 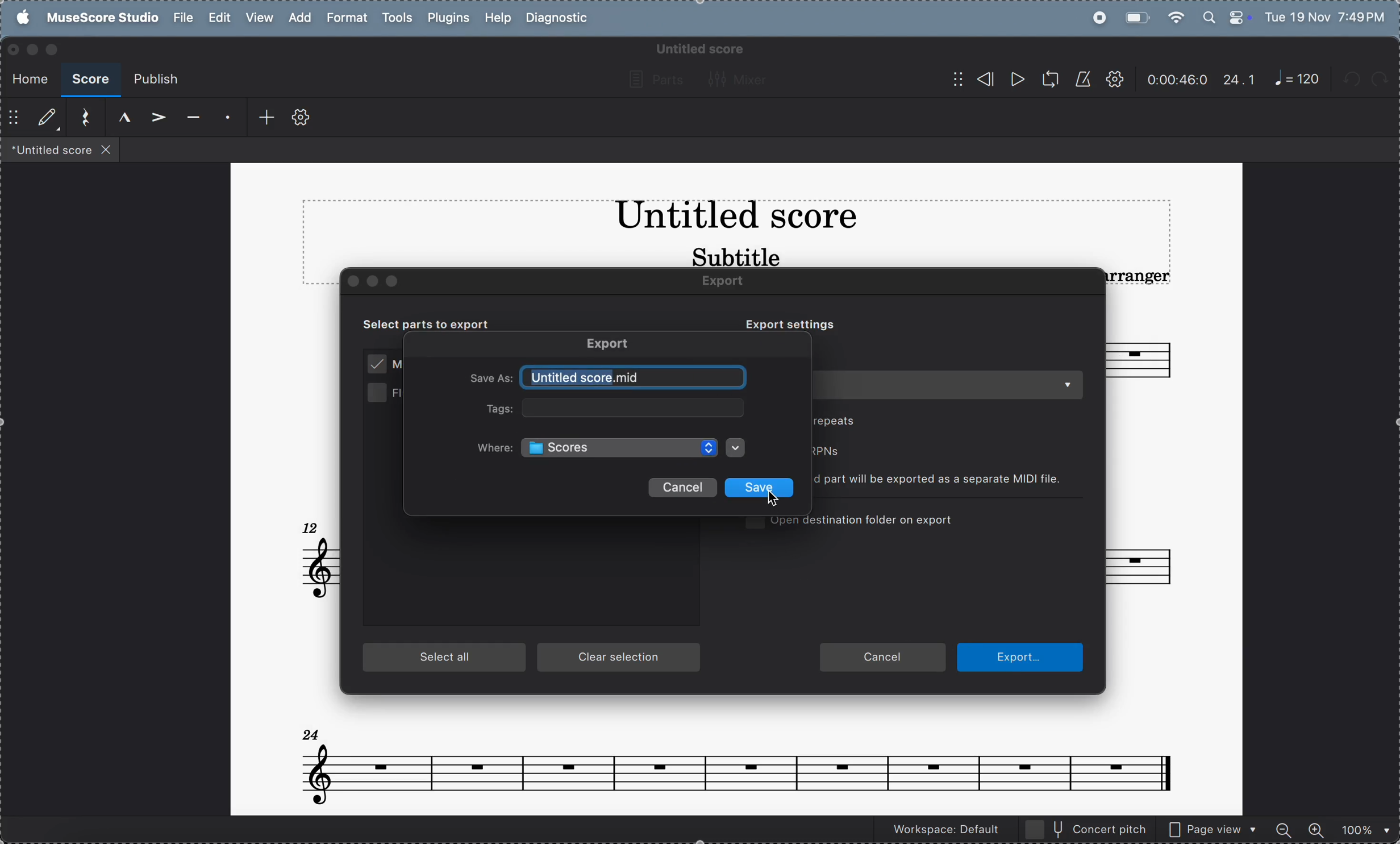 What do you see at coordinates (1213, 828) in the screenshot?
I see `page view` at bounding box center [1213, 828].